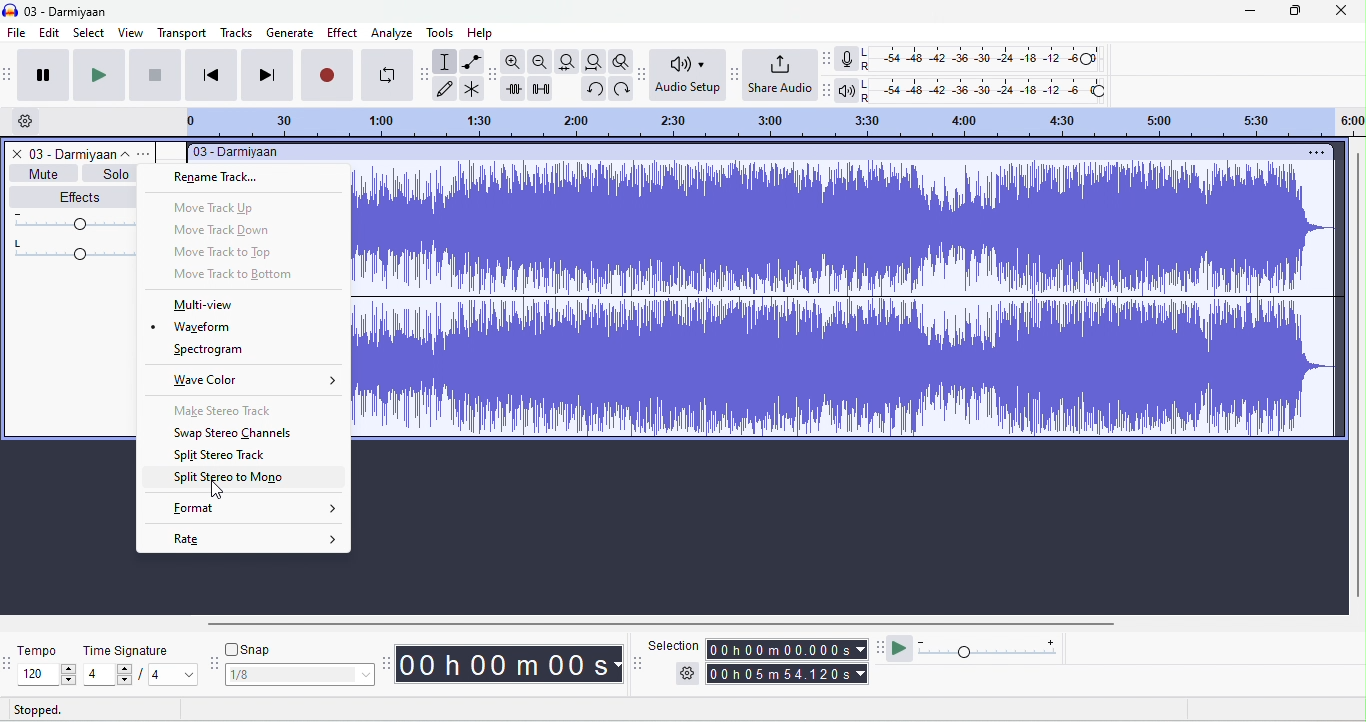 Image resolution: width=1366 pixels, height=722 pixels. I want to click on playback speed, so click(989, 650).